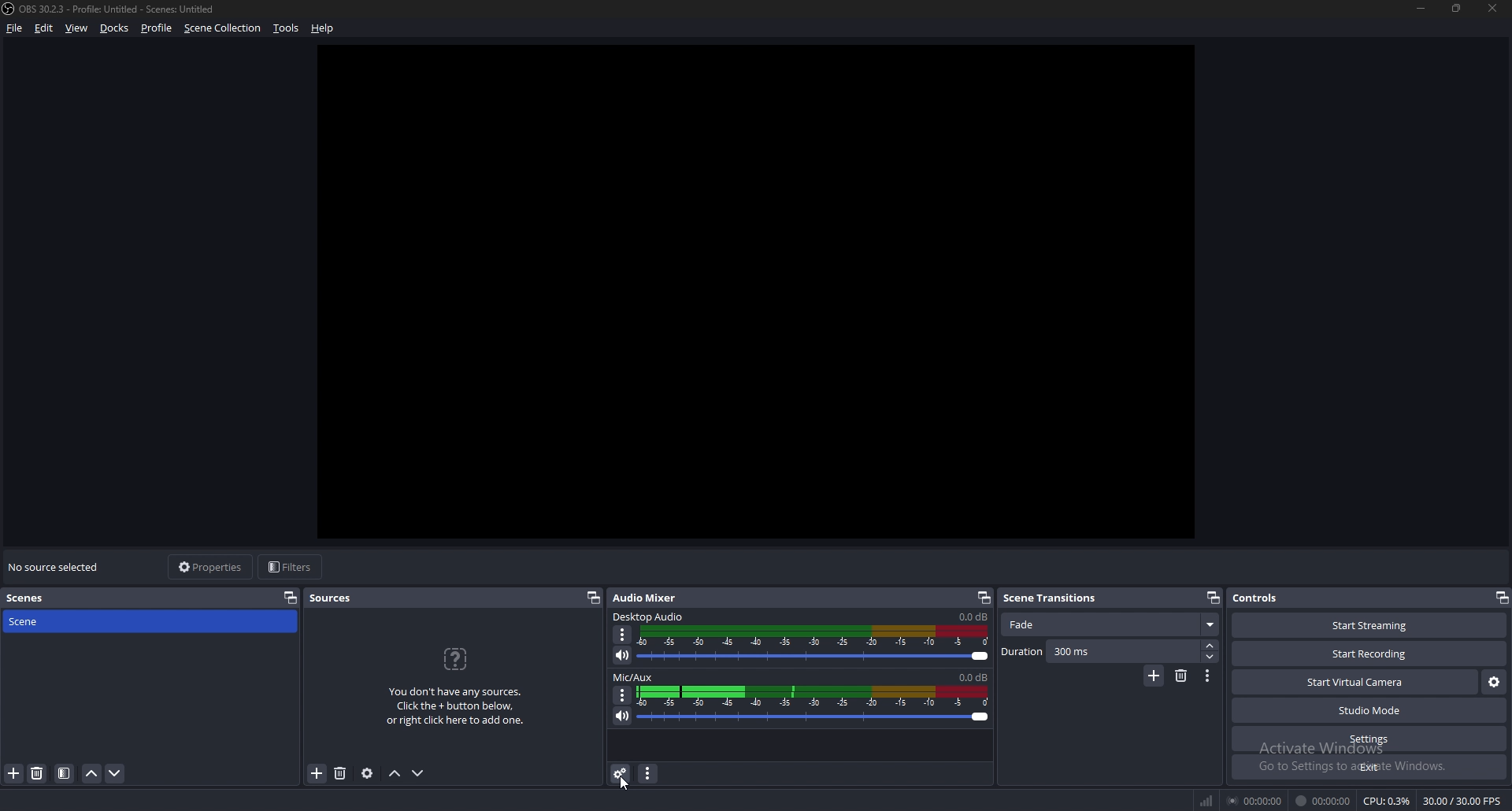 This screenshot has width=1512, height=811. Describe the element at coordinates (1266, 598) in the screenshot. I see `controls` at that location.